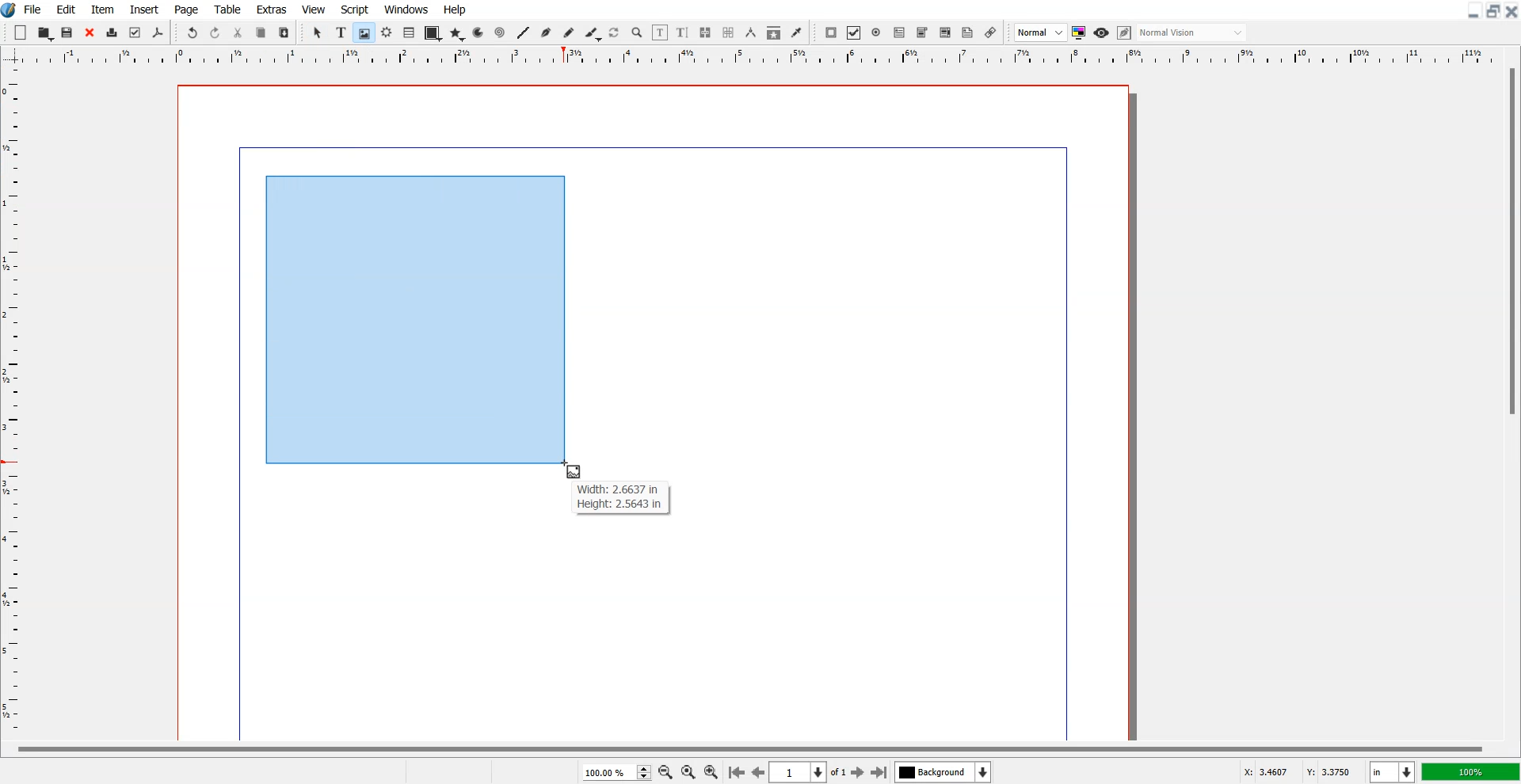 The height and width of the screenshot is (784, 1521). Describe the element at coordinates (10, 10) in the screenshot. I see `Logo` at that location.